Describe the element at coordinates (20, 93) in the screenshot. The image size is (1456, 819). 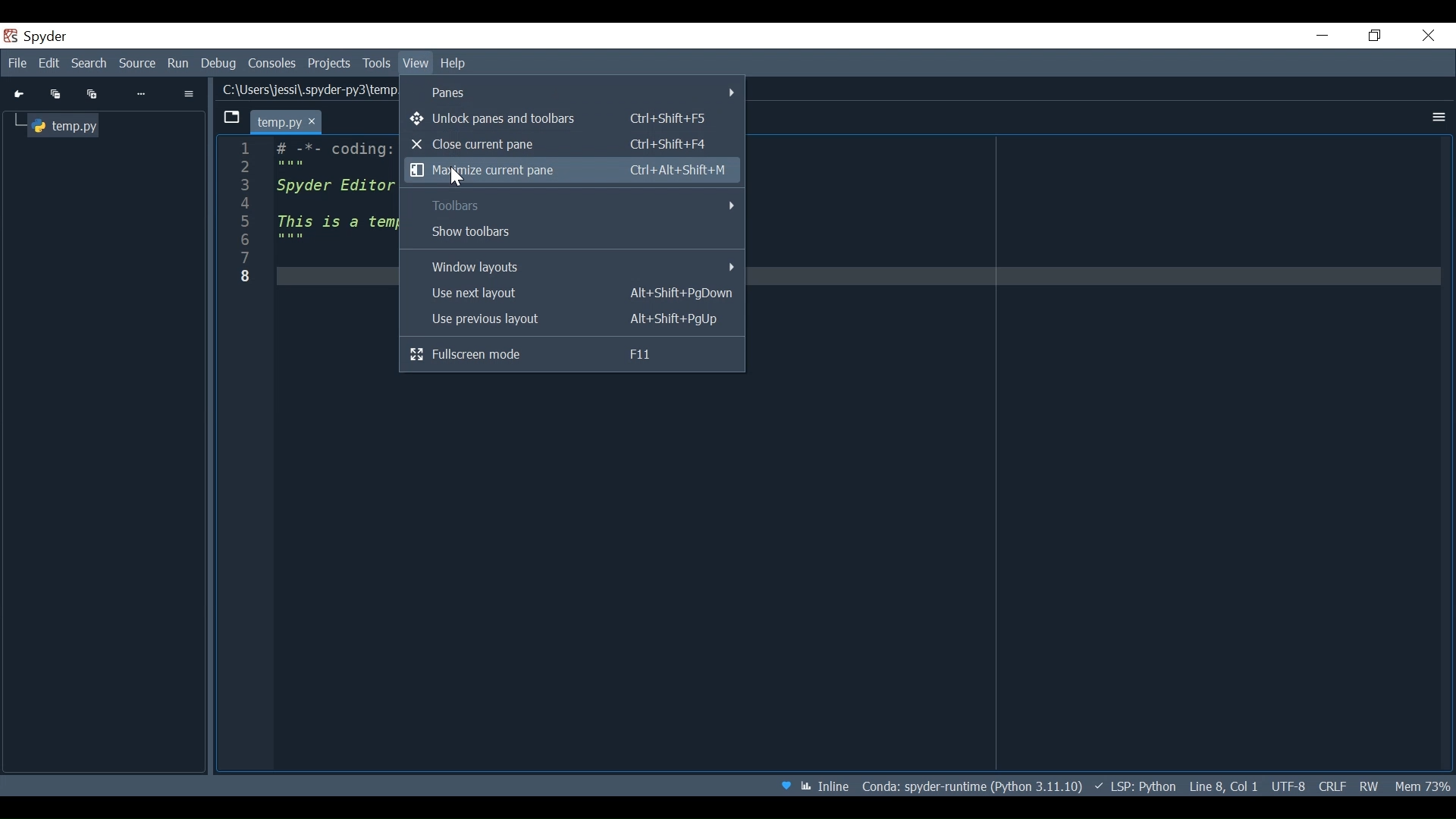
I see `Go to cursor position` at that location.